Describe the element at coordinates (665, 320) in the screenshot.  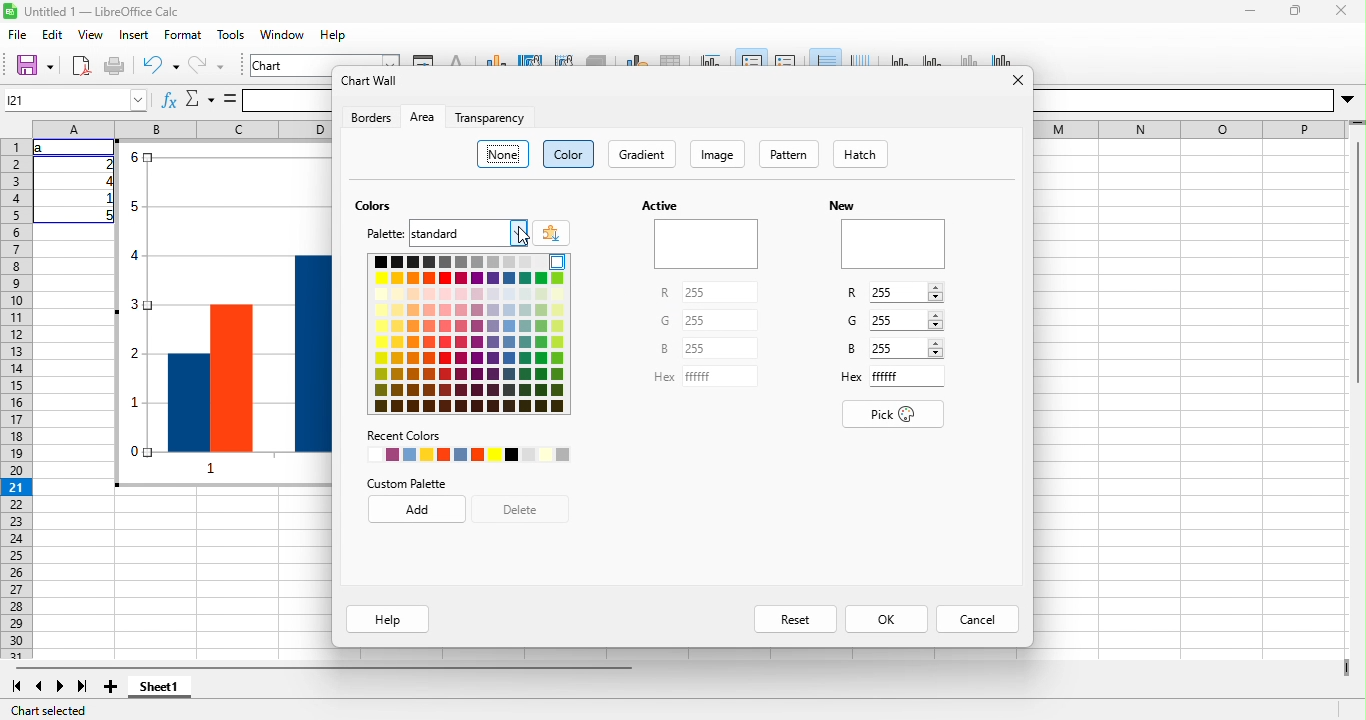
I see `G` at that location.